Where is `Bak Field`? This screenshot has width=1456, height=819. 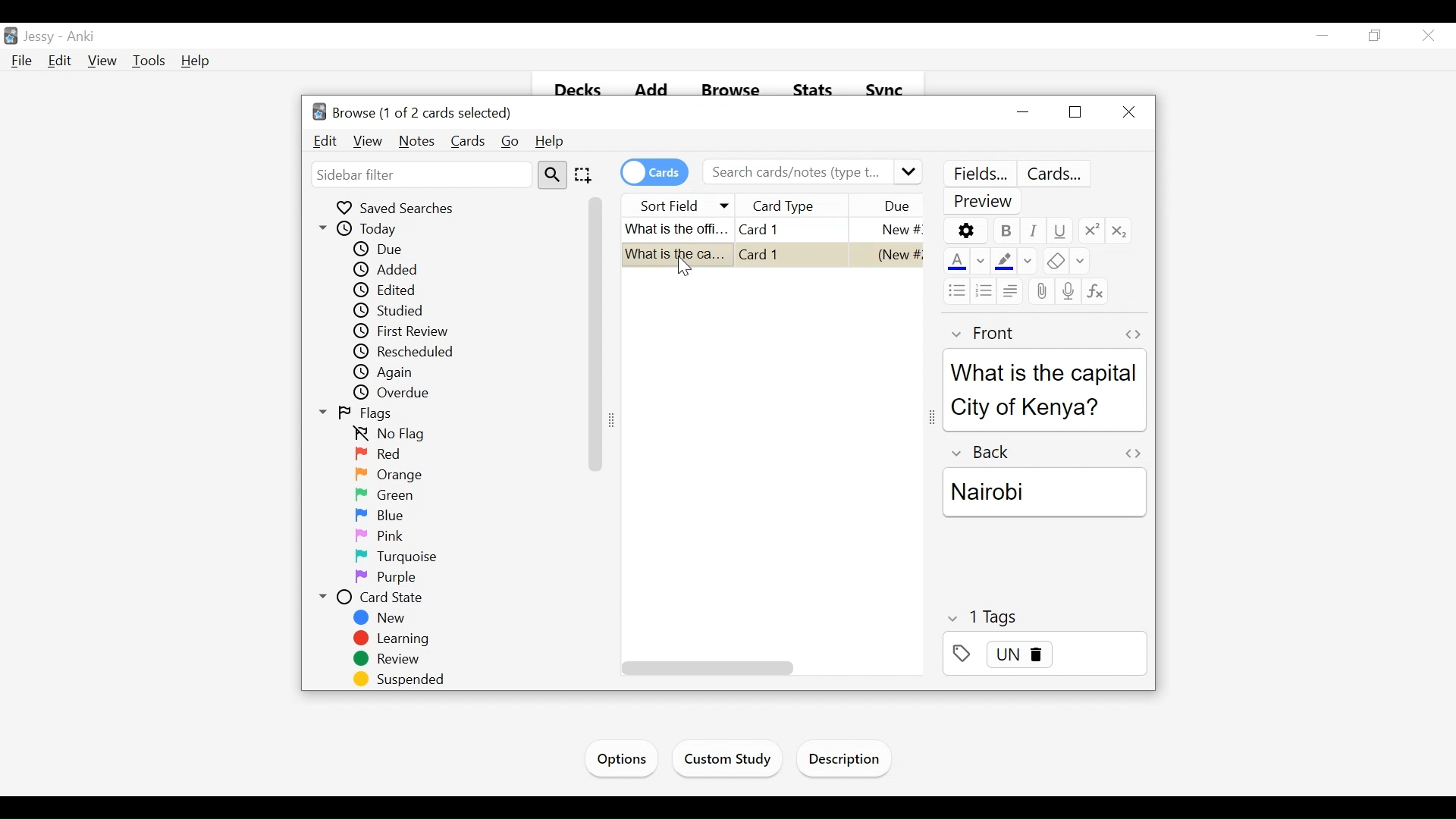
Bak Field is located at coordinates (1043, 485).